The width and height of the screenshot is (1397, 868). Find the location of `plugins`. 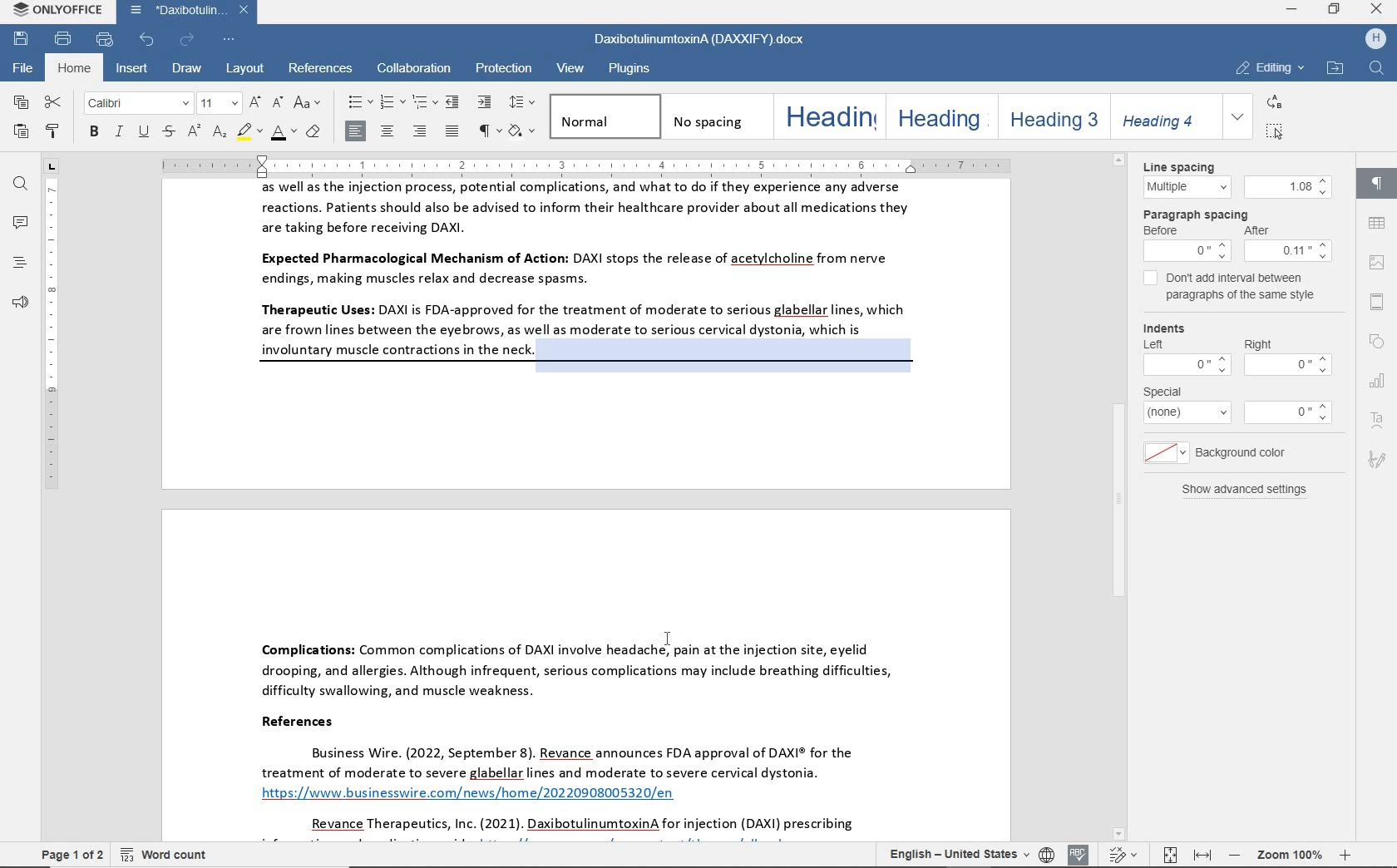

plugins is located at coordinates (632, 69).